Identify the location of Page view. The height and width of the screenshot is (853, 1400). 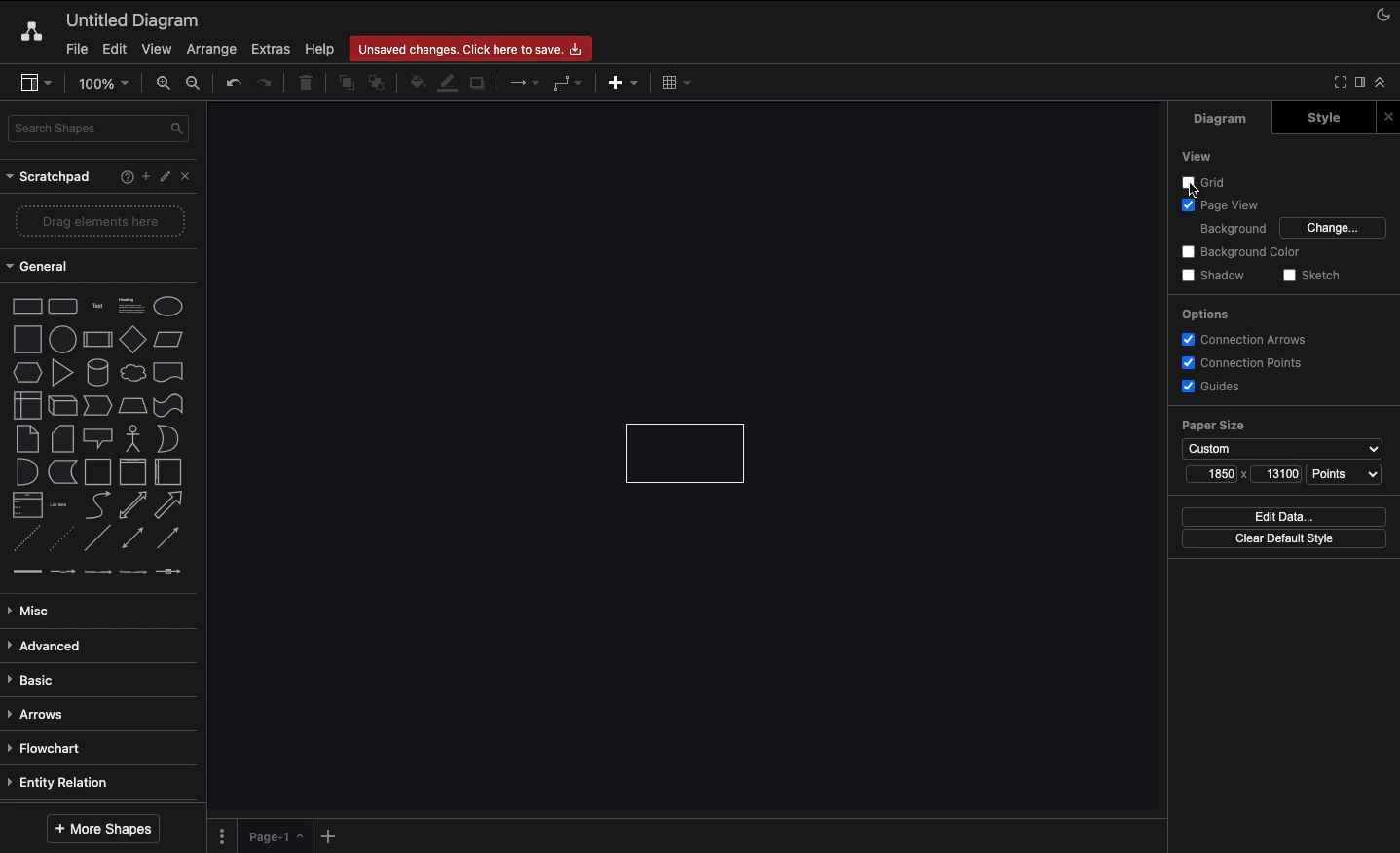
(1230, 206).